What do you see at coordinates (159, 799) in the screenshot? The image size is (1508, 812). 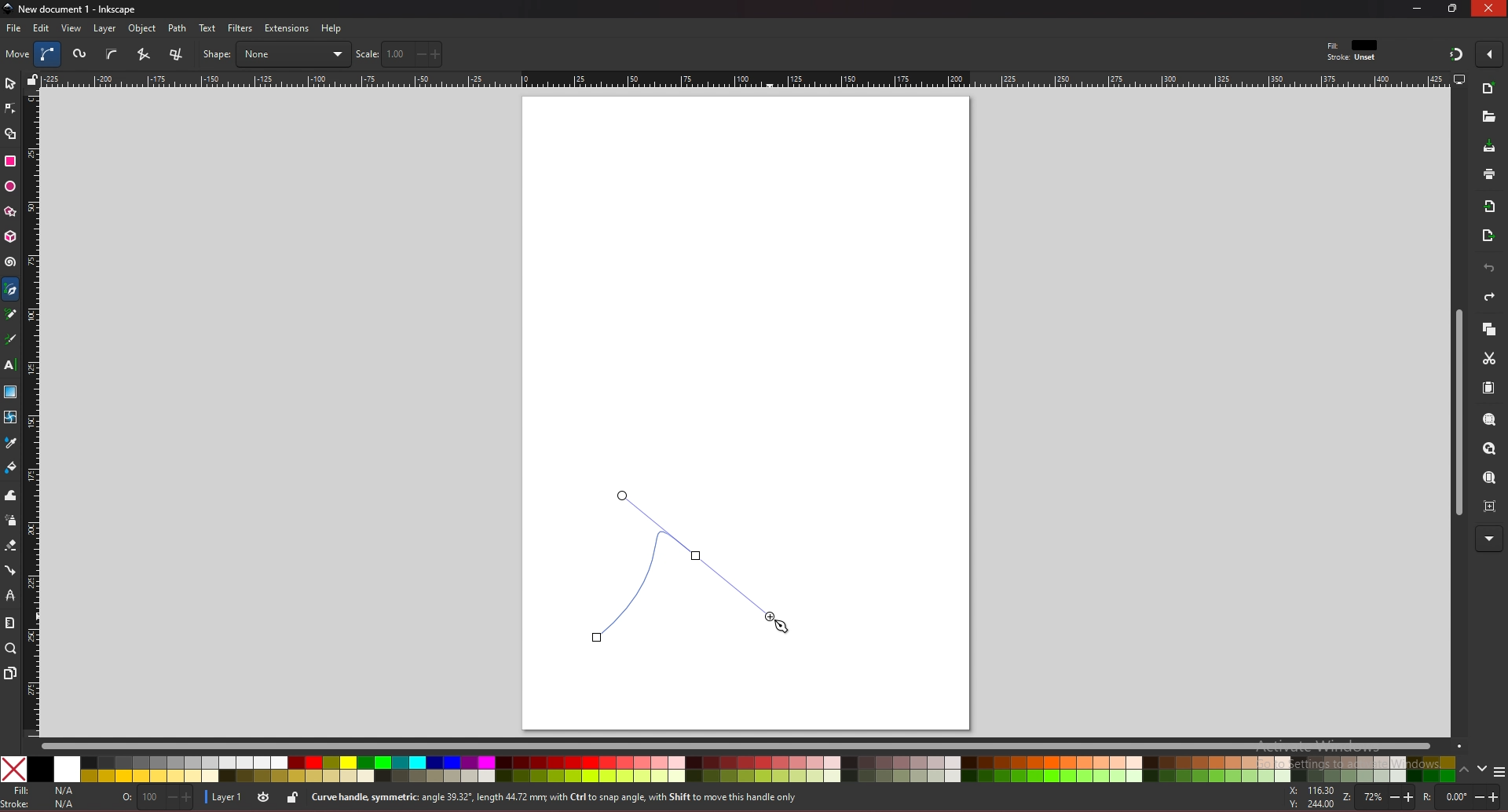 I see `opacity` at bounding box center [159, 799].